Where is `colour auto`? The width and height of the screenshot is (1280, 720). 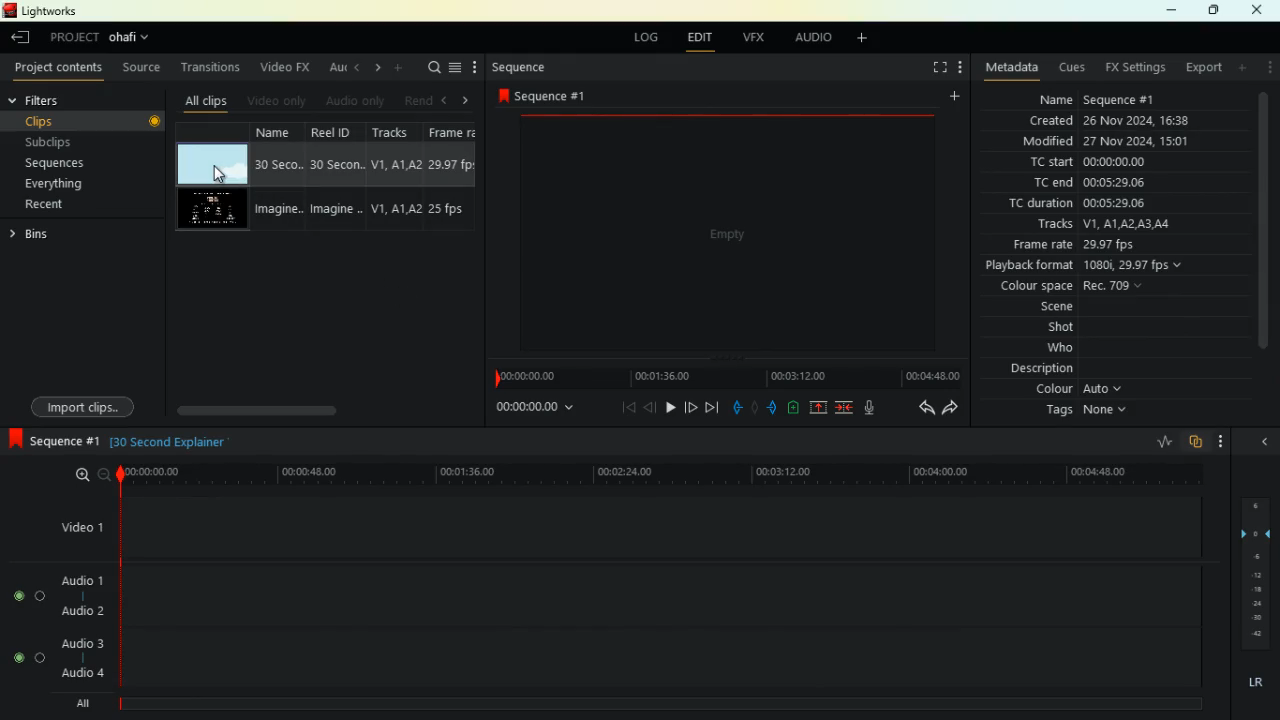 colour auto is located at coordinates (1079, 390).